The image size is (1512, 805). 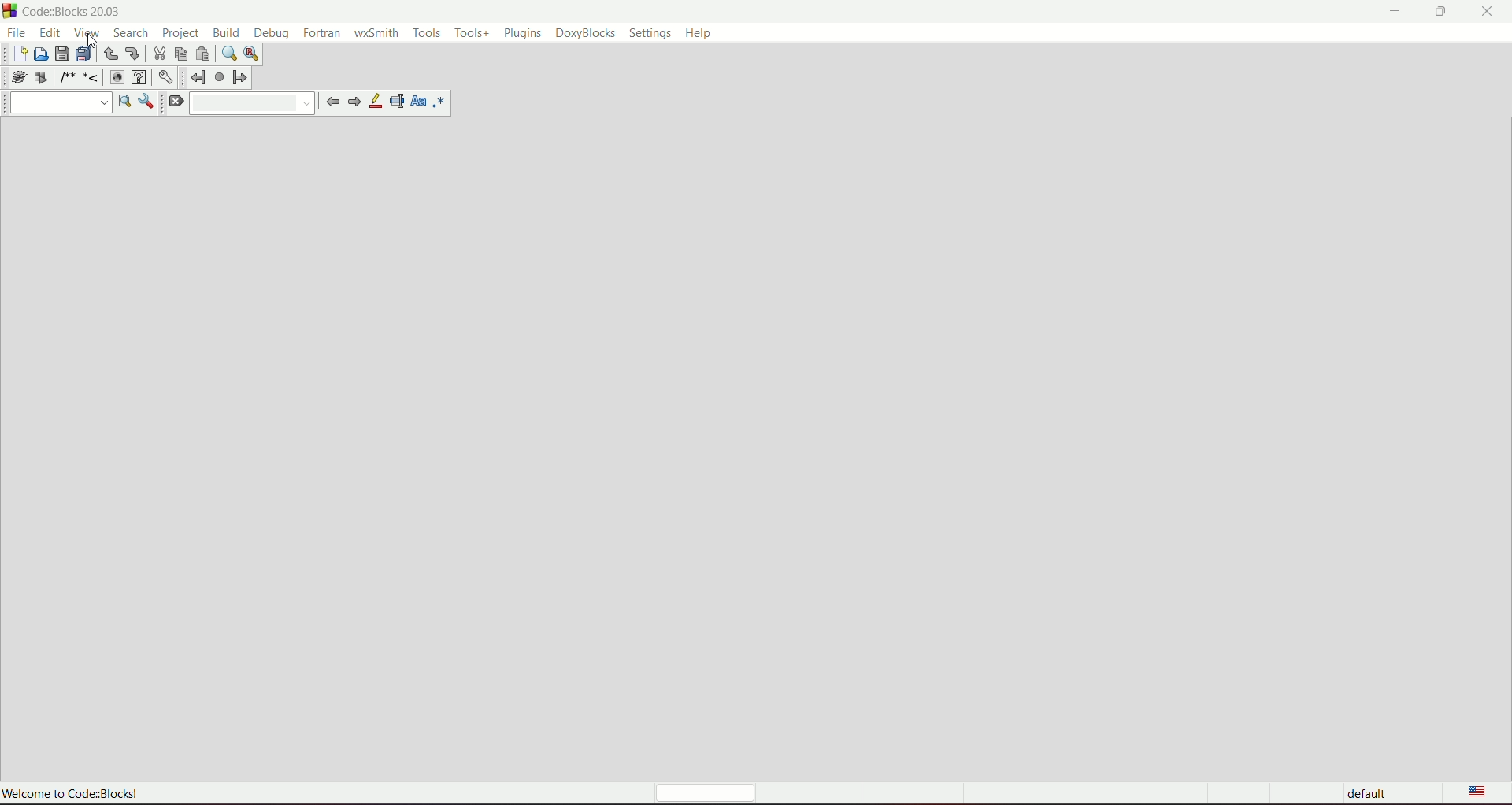 What do you see at coordinates (332, 101) in the screenshot?
I see `previous` at bounding box center [332, 101].